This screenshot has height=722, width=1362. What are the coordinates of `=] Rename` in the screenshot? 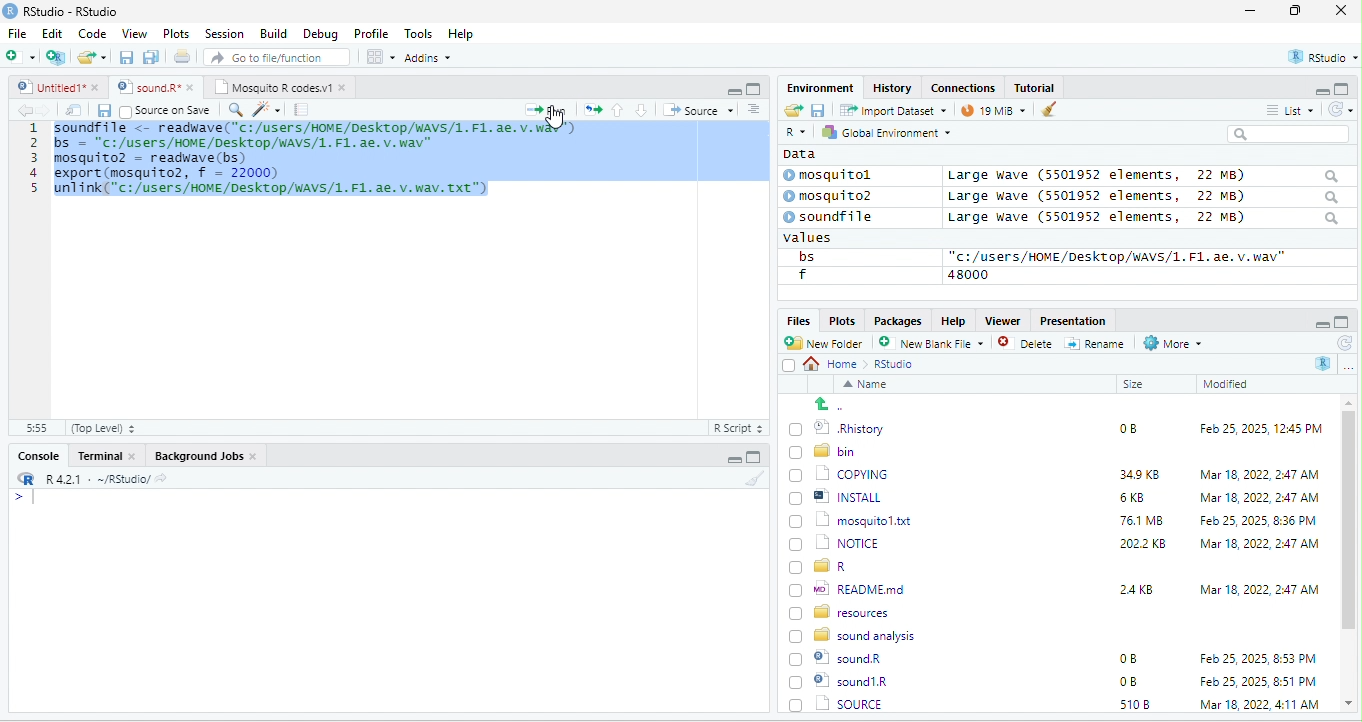 It's located at (1096, 343).